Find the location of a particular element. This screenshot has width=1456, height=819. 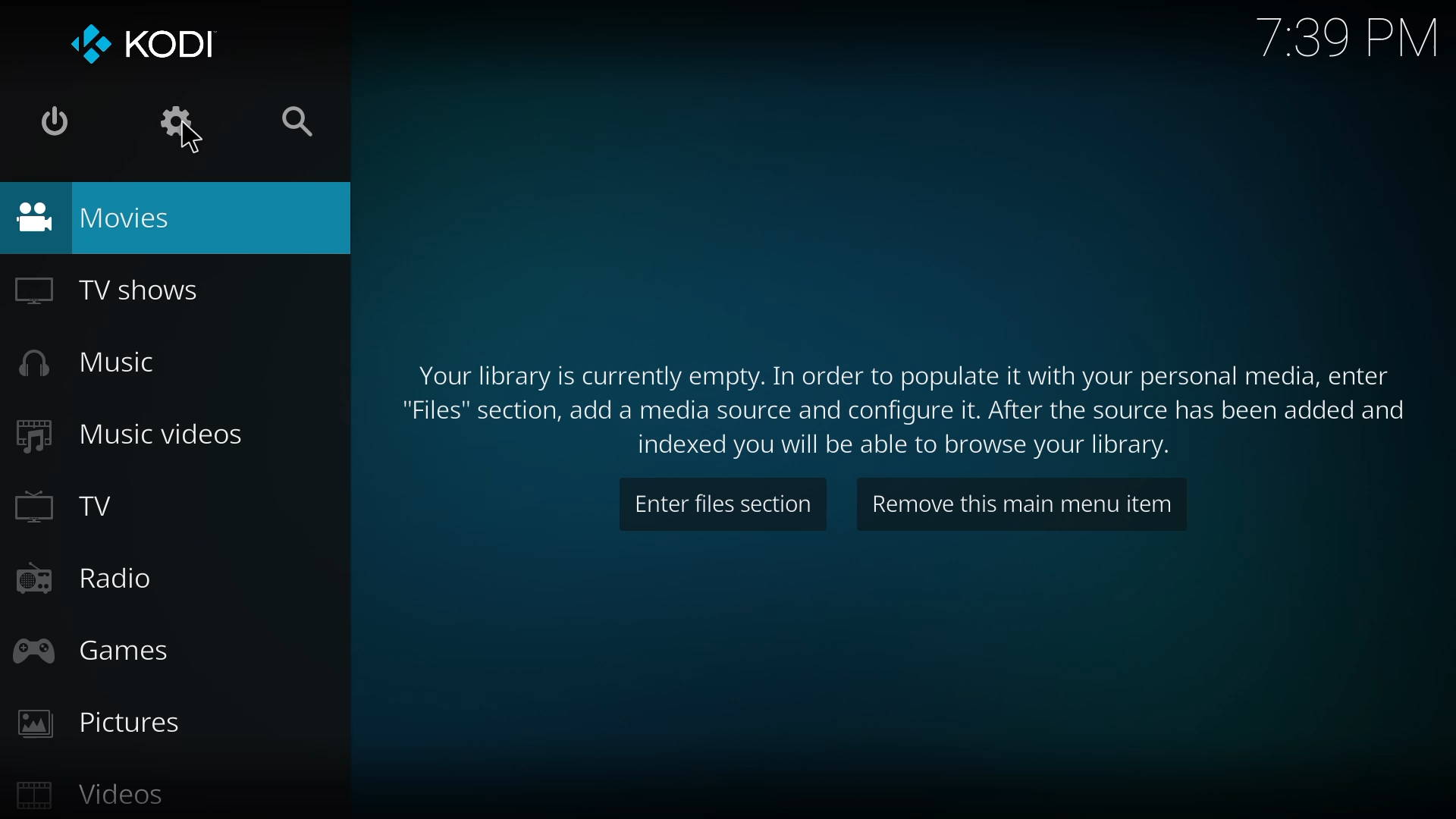

search is located at coordinates (296, 121).